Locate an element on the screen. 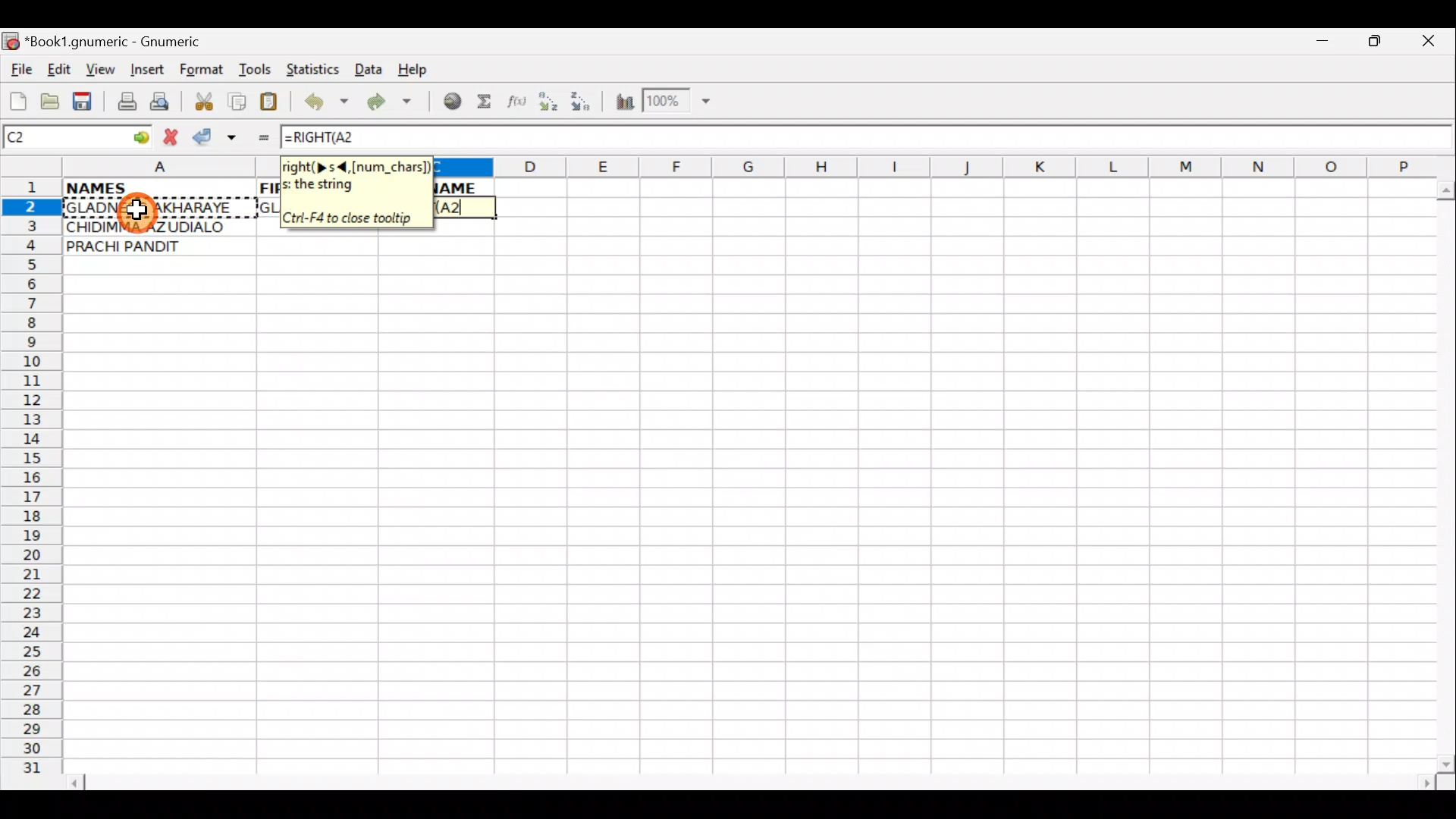  Print file is located at coordinates (123, 103).